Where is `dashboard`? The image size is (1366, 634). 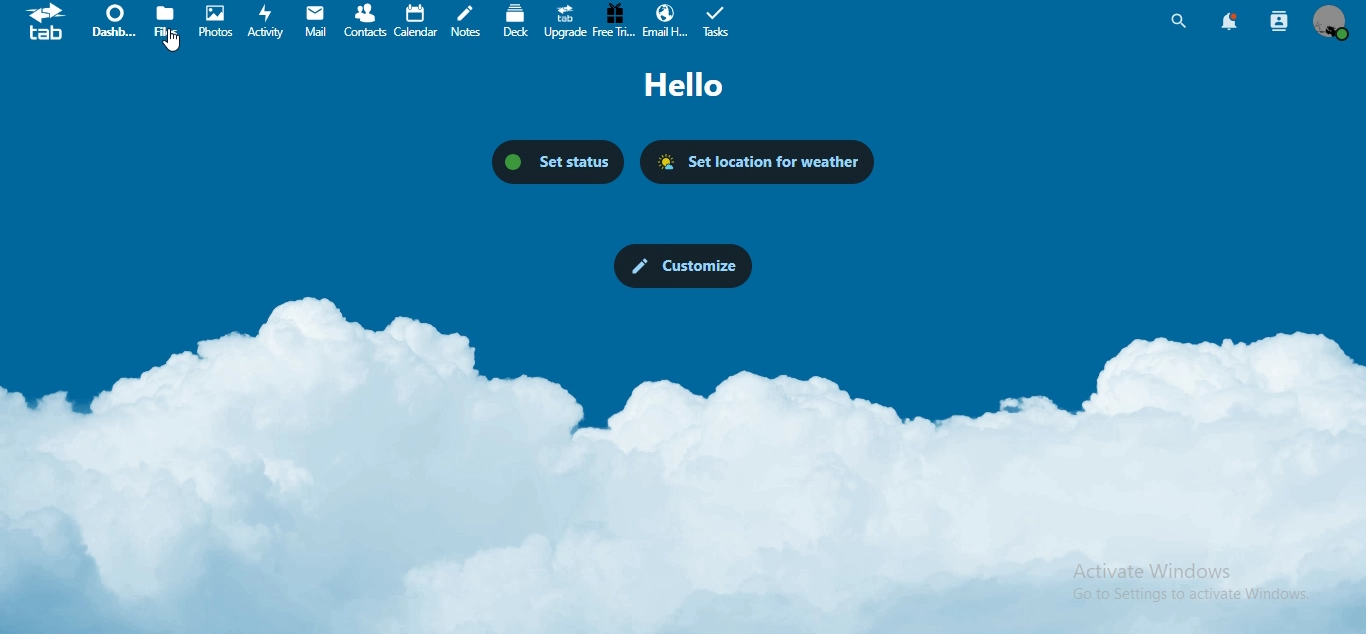 dashboard is located at coordinates (113, 21).